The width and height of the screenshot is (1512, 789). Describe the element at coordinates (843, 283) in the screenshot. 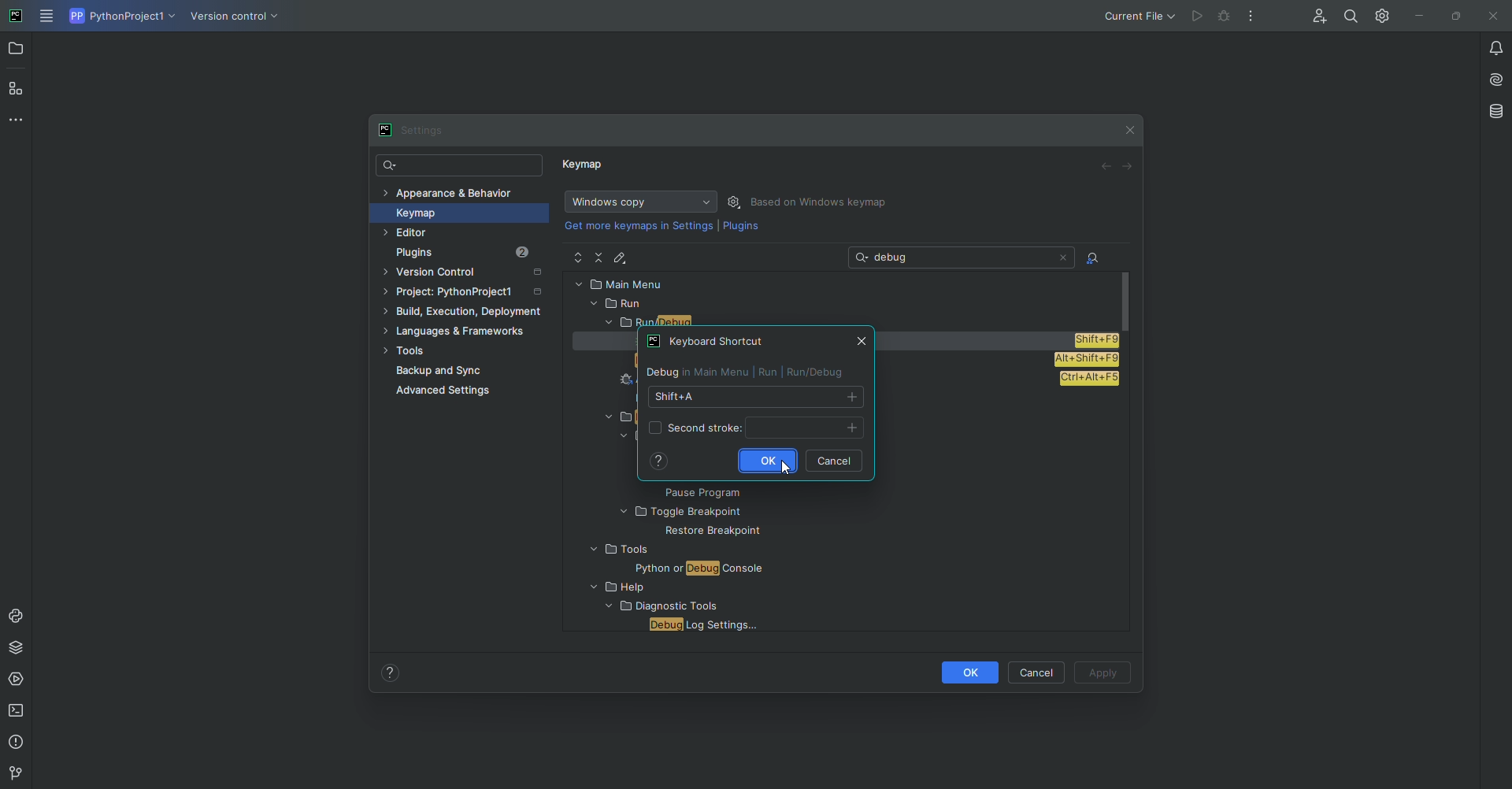

I see `MAIN MENU` at that location.